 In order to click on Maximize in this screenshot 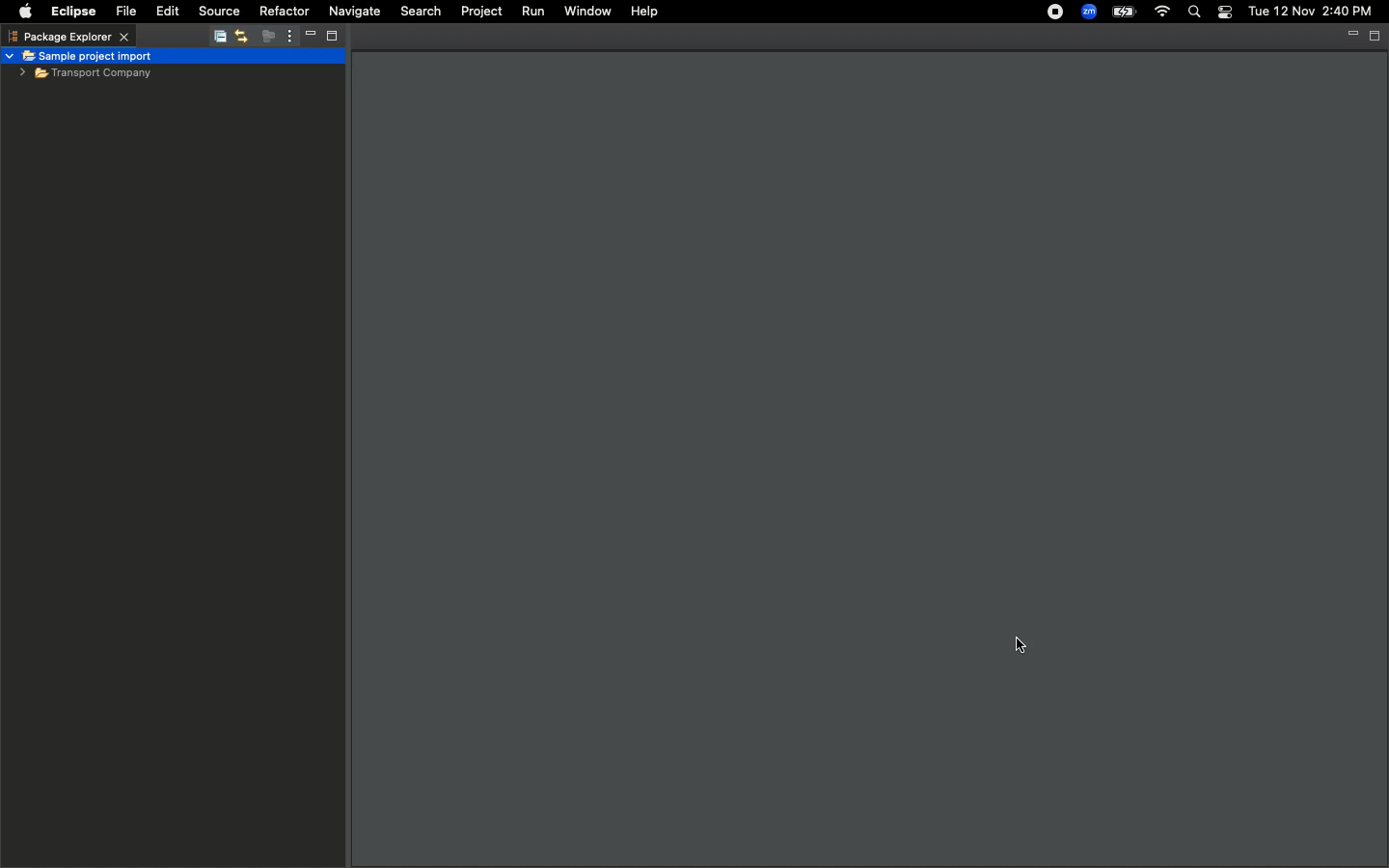, I will do `click(1375, 36)`.